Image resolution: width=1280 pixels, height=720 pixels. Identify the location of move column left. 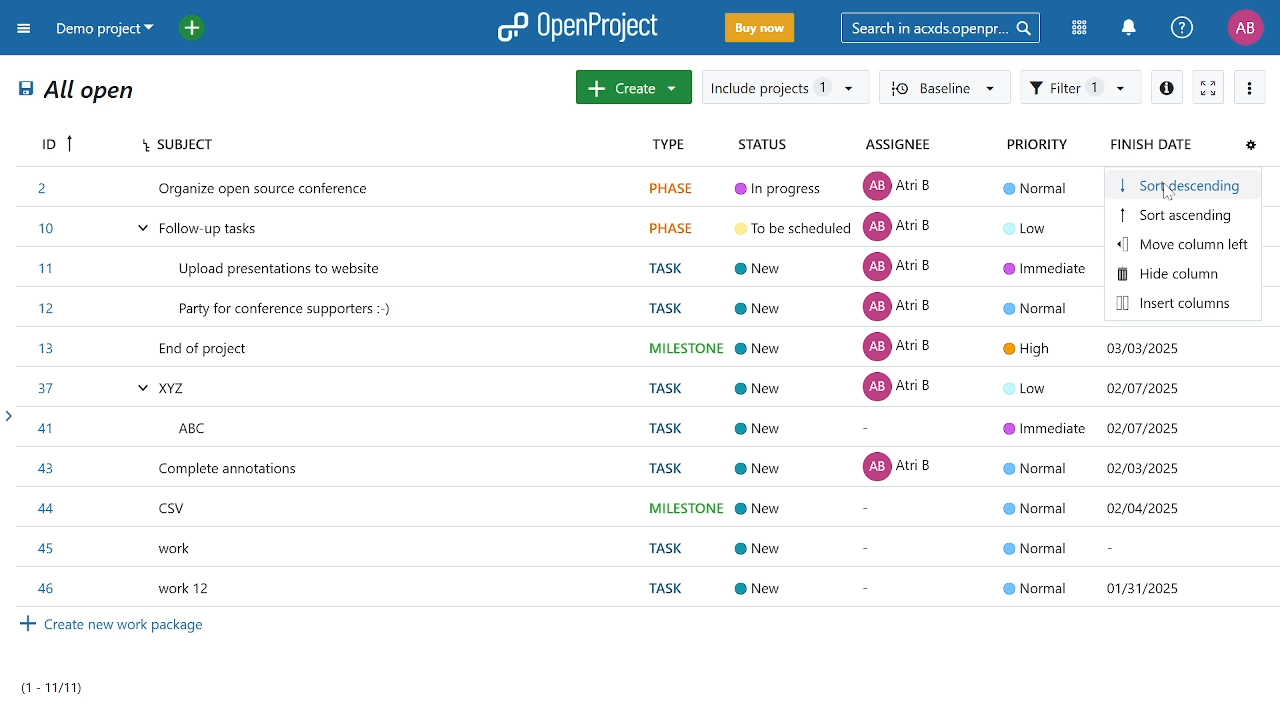
(1182, 248).